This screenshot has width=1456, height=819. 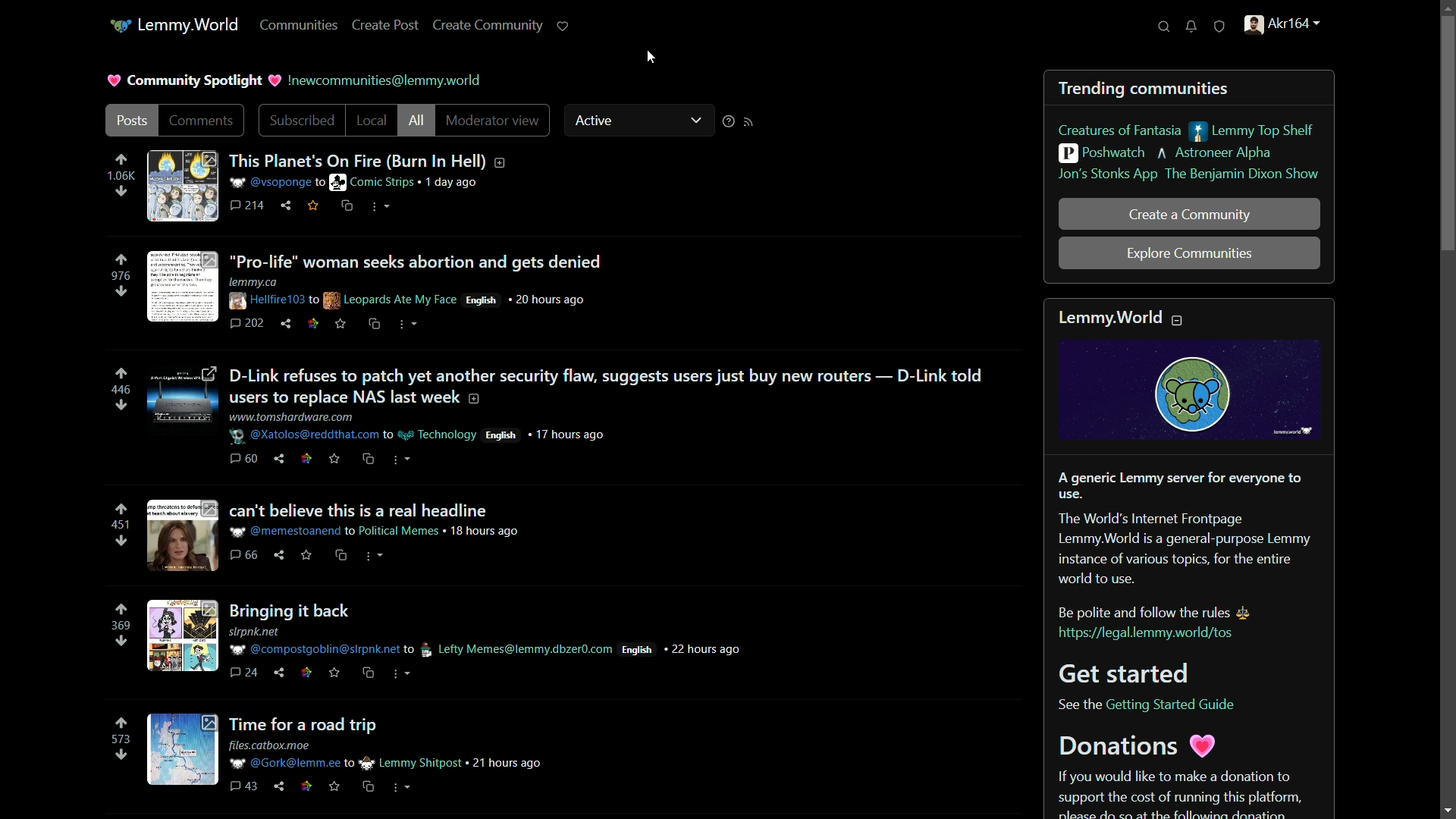 What do you see at coordinates (121, 259) in the screenshot?
I see `upvote` at bounding box center [121, 259].